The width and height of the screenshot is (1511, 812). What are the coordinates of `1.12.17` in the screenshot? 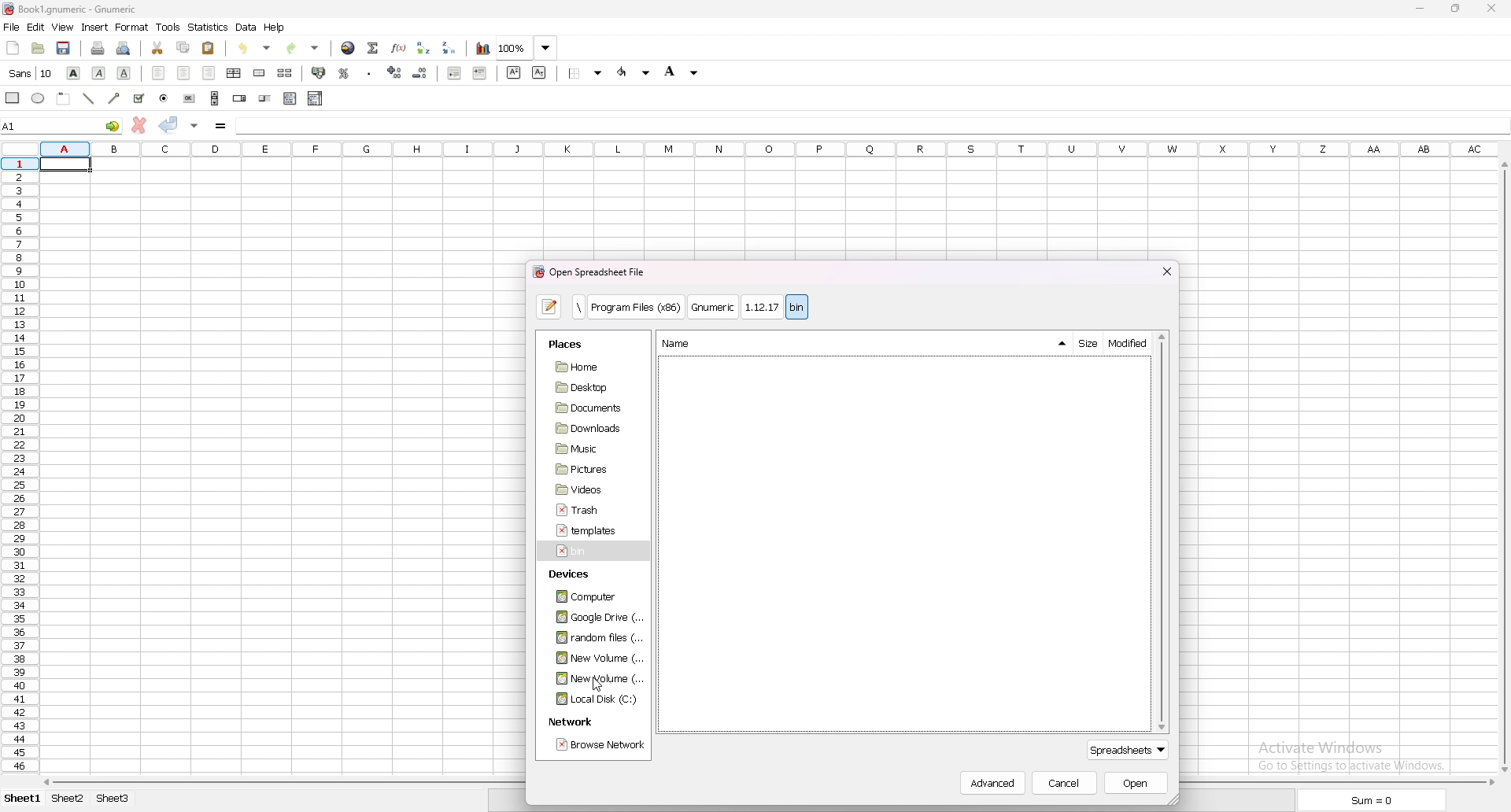 It's located at (761, 307).